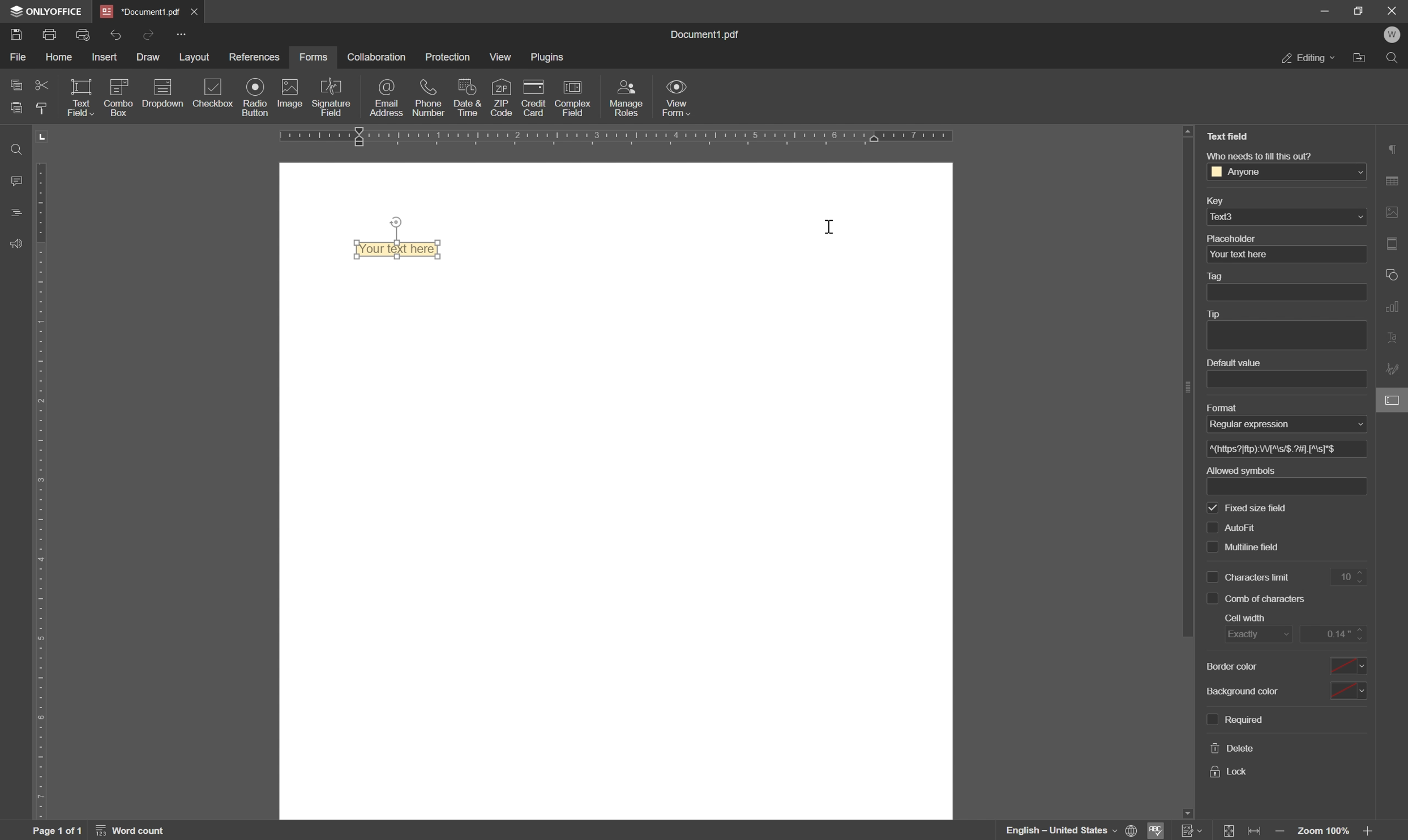 This screenshot has width=1408, height=840. What do you see at coordinates (17, 57) in the screenshot?
I see `file` at bounding box center [17, 57].